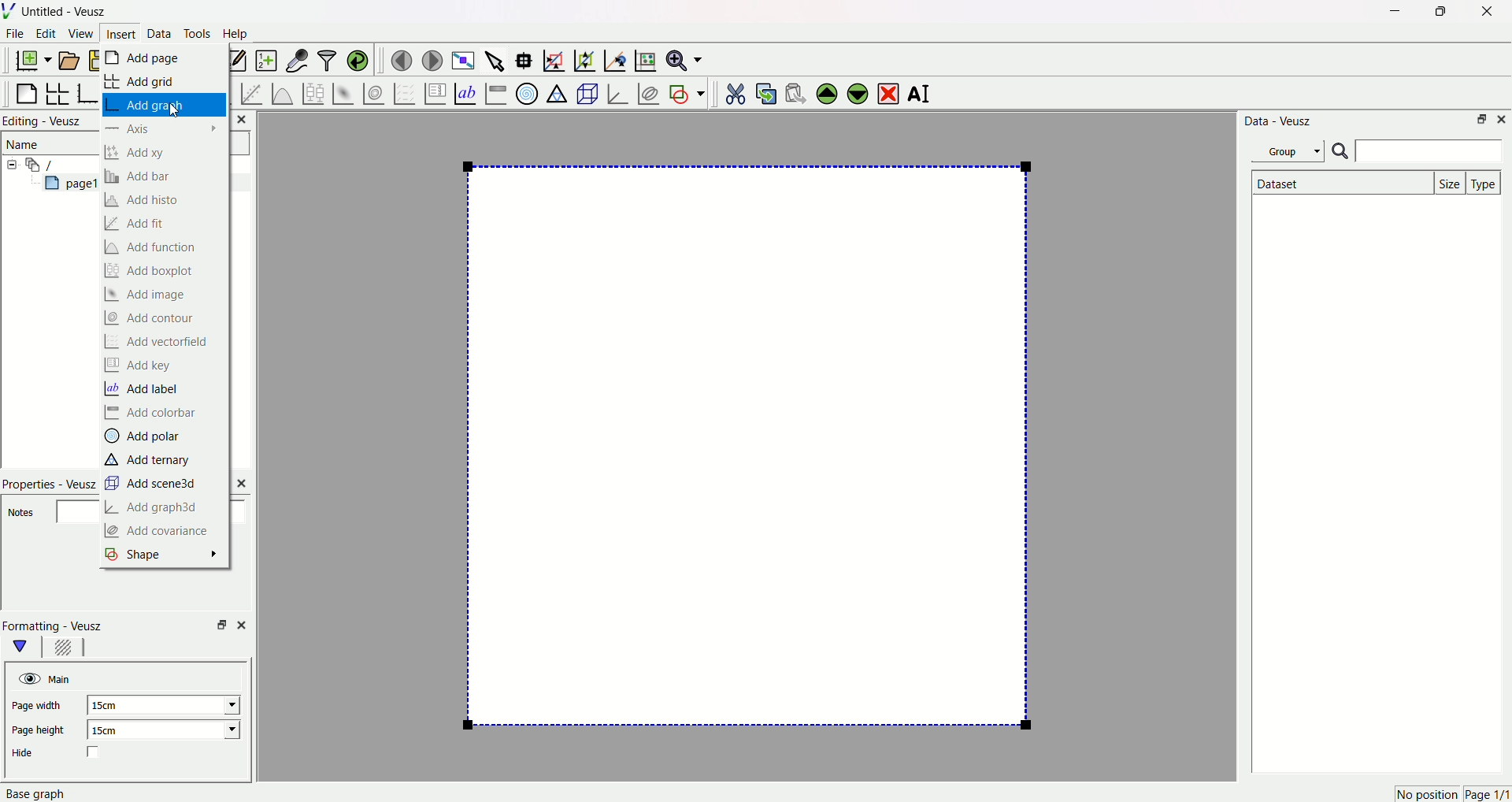 This screenshot has width=1512, height=802. I want to click on Add graph3d, so click(161, 508).